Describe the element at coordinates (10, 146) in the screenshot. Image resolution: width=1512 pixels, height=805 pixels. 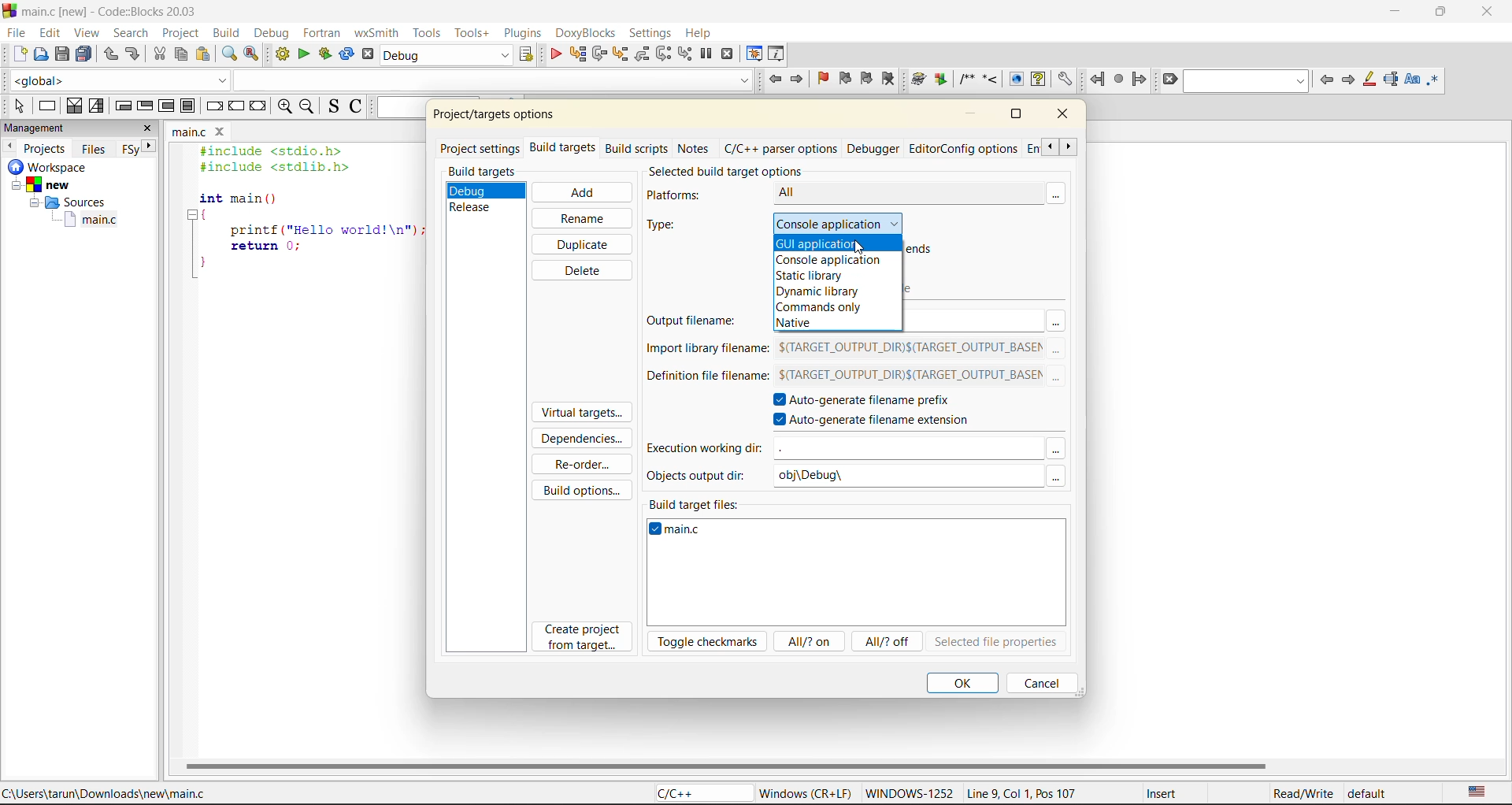
I see `previous` at that location.